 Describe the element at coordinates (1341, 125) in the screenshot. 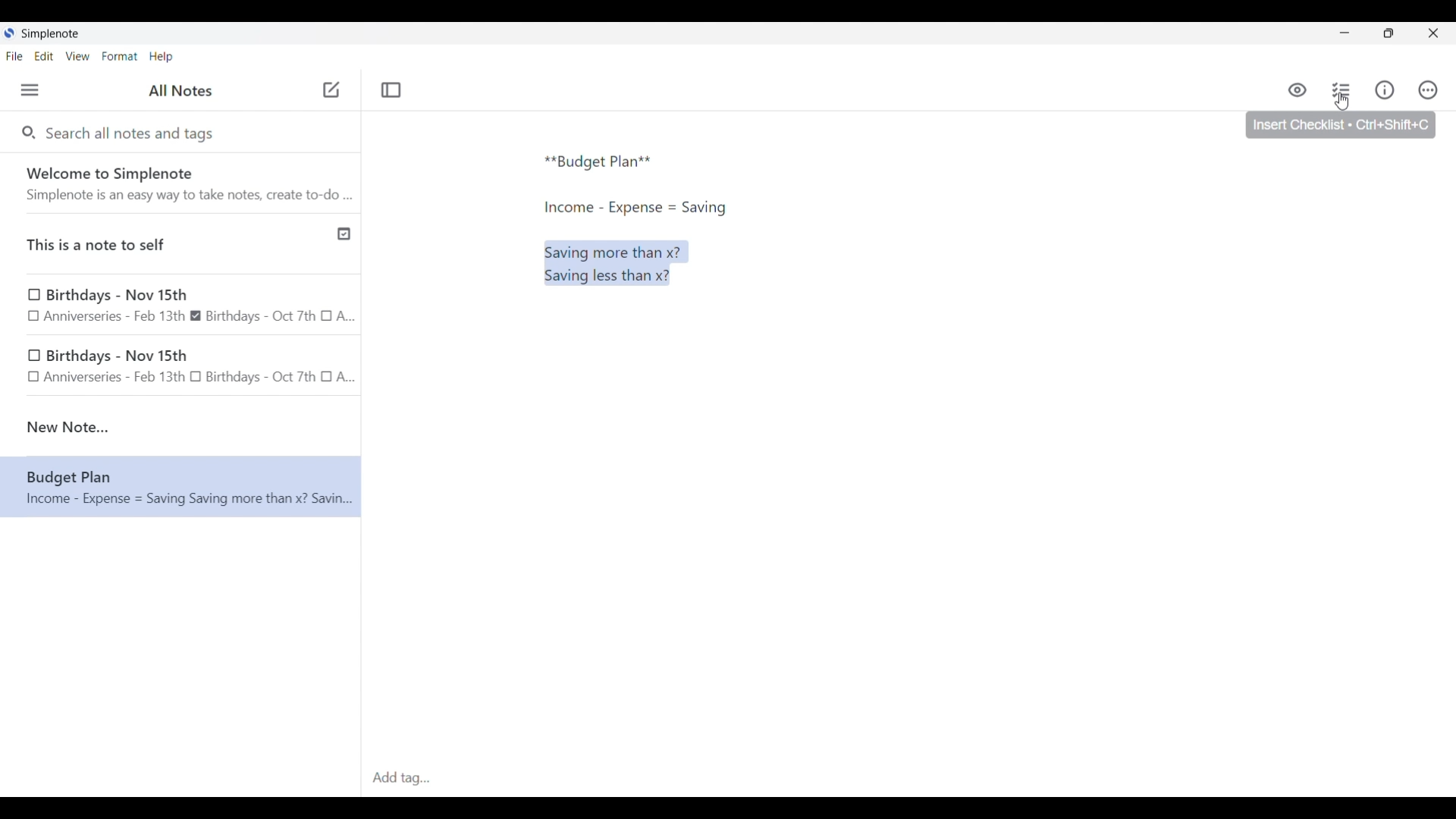

I see `Description of selected icon` at that location.